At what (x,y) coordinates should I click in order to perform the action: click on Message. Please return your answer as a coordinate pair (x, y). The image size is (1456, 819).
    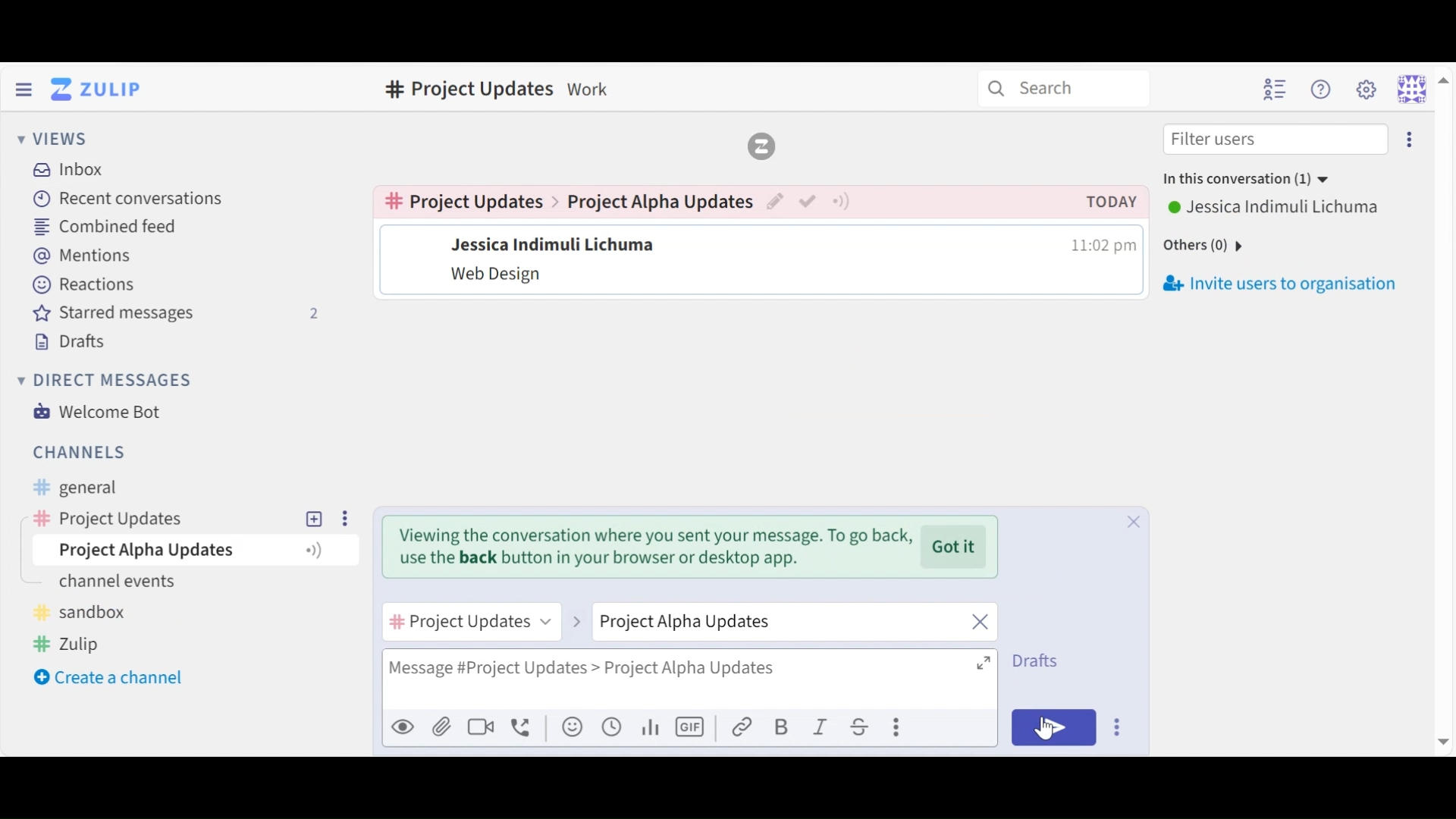
    Looking at the image, I should click on (499, 276).